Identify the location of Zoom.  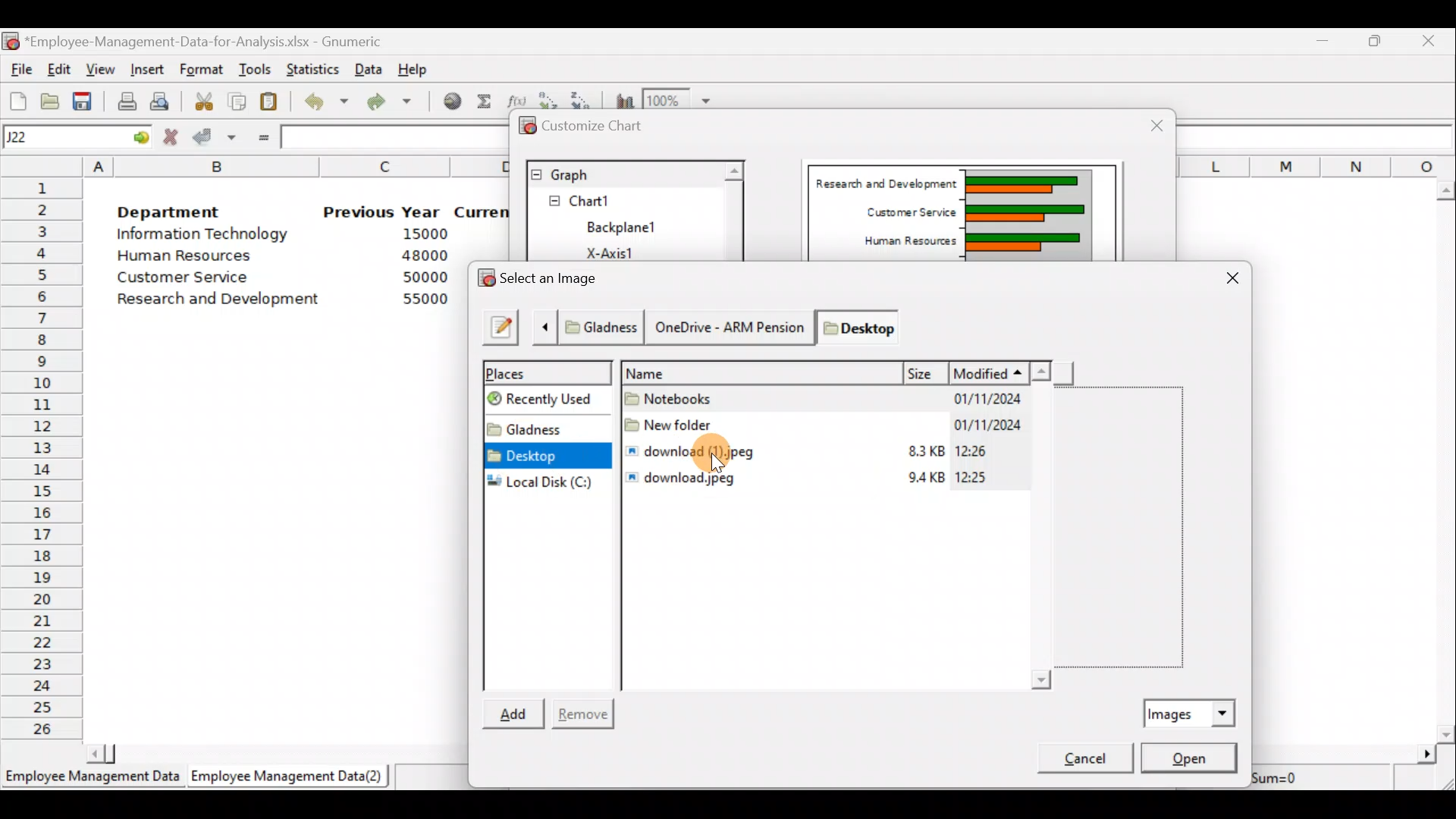
(682, 99).